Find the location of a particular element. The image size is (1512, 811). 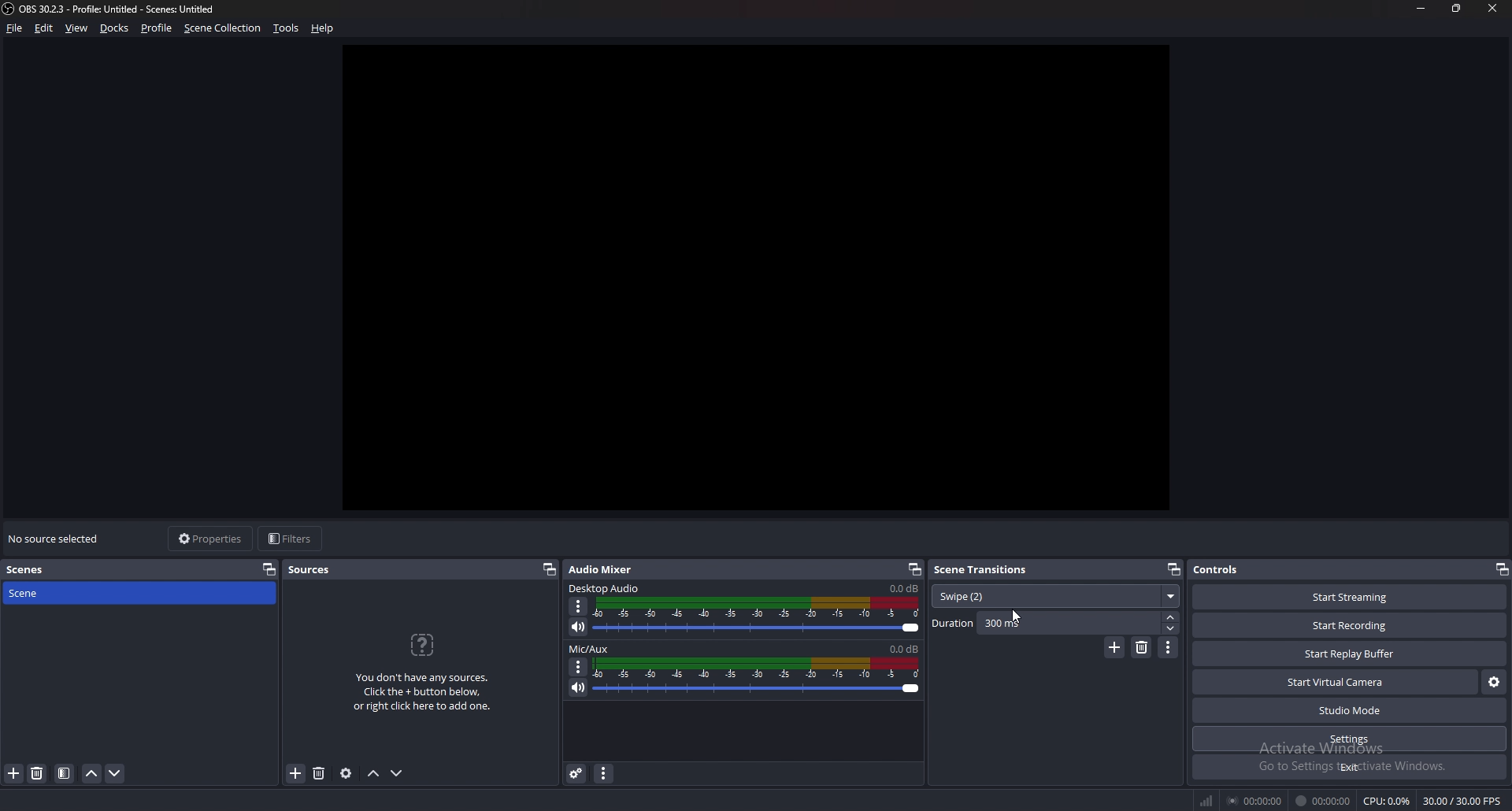

volume adjust is located at coordinates (759, 616).